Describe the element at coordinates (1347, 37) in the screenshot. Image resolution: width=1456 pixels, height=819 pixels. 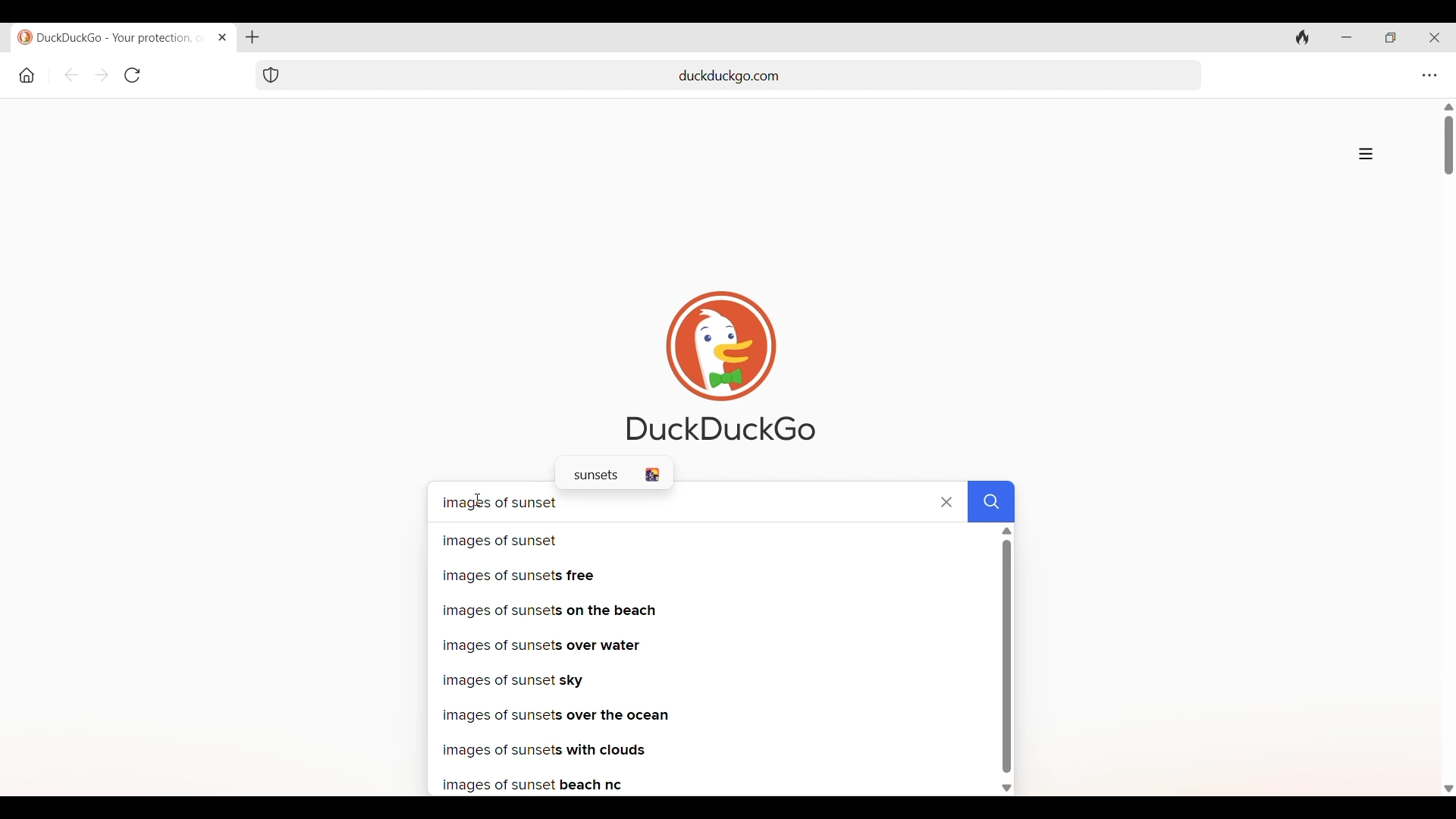
I see `Minimize` at that location.